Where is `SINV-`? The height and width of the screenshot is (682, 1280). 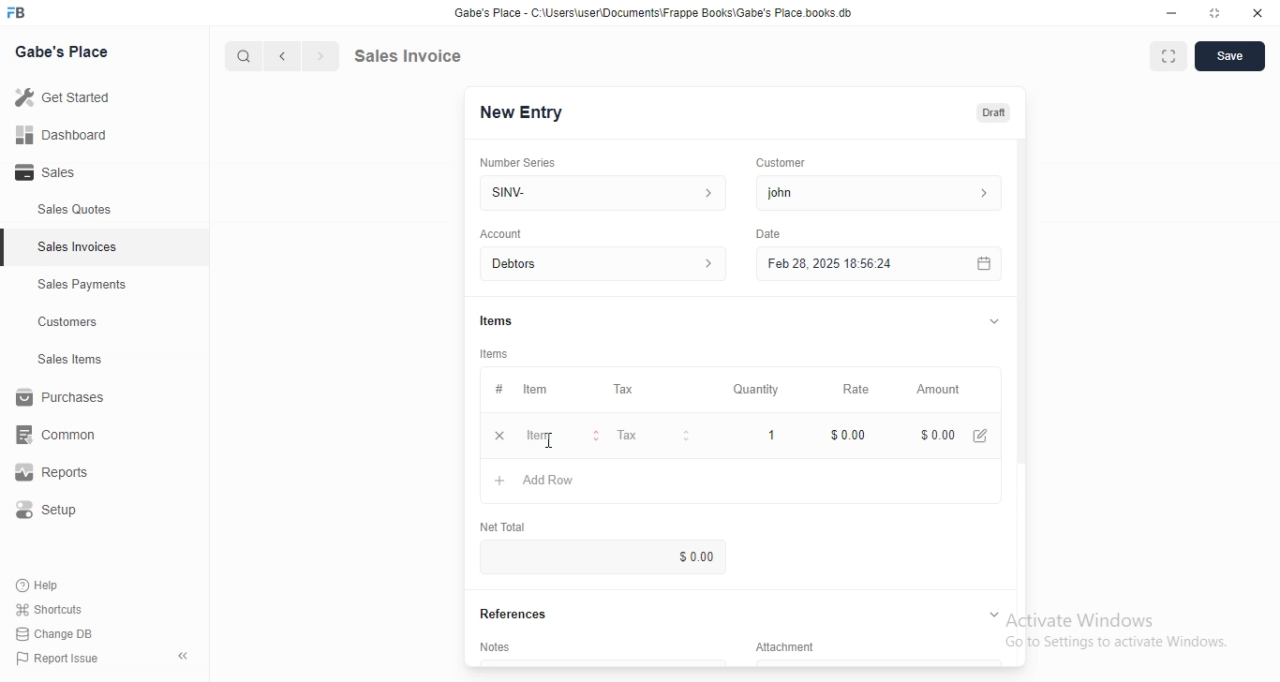
SINV- is located at coordinates (602, 191).